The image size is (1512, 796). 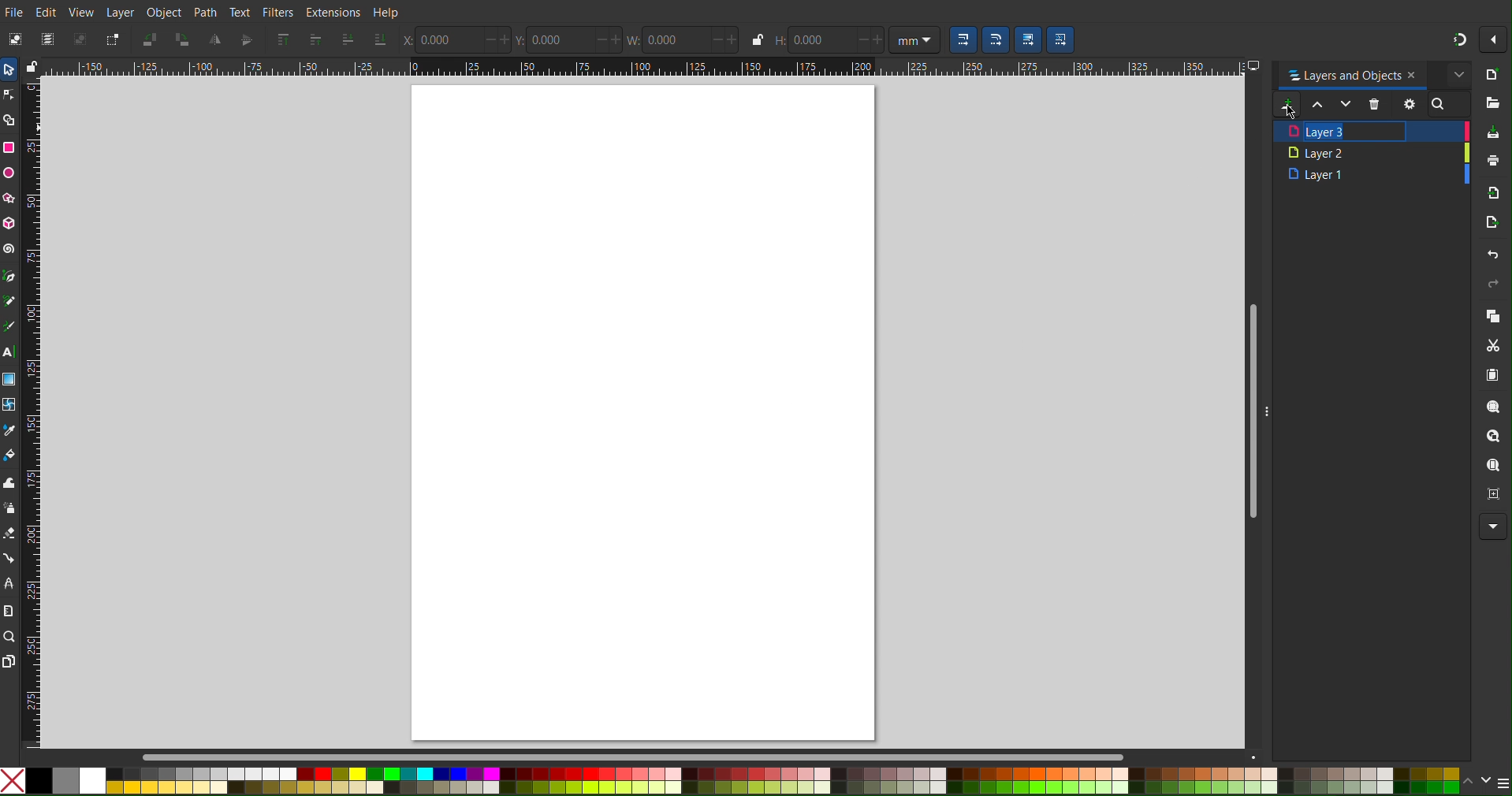 What do you see at coordinates (379, 39) in the screenshot?
I see `Send layer to the bottom` at bounding box center [379, 39].